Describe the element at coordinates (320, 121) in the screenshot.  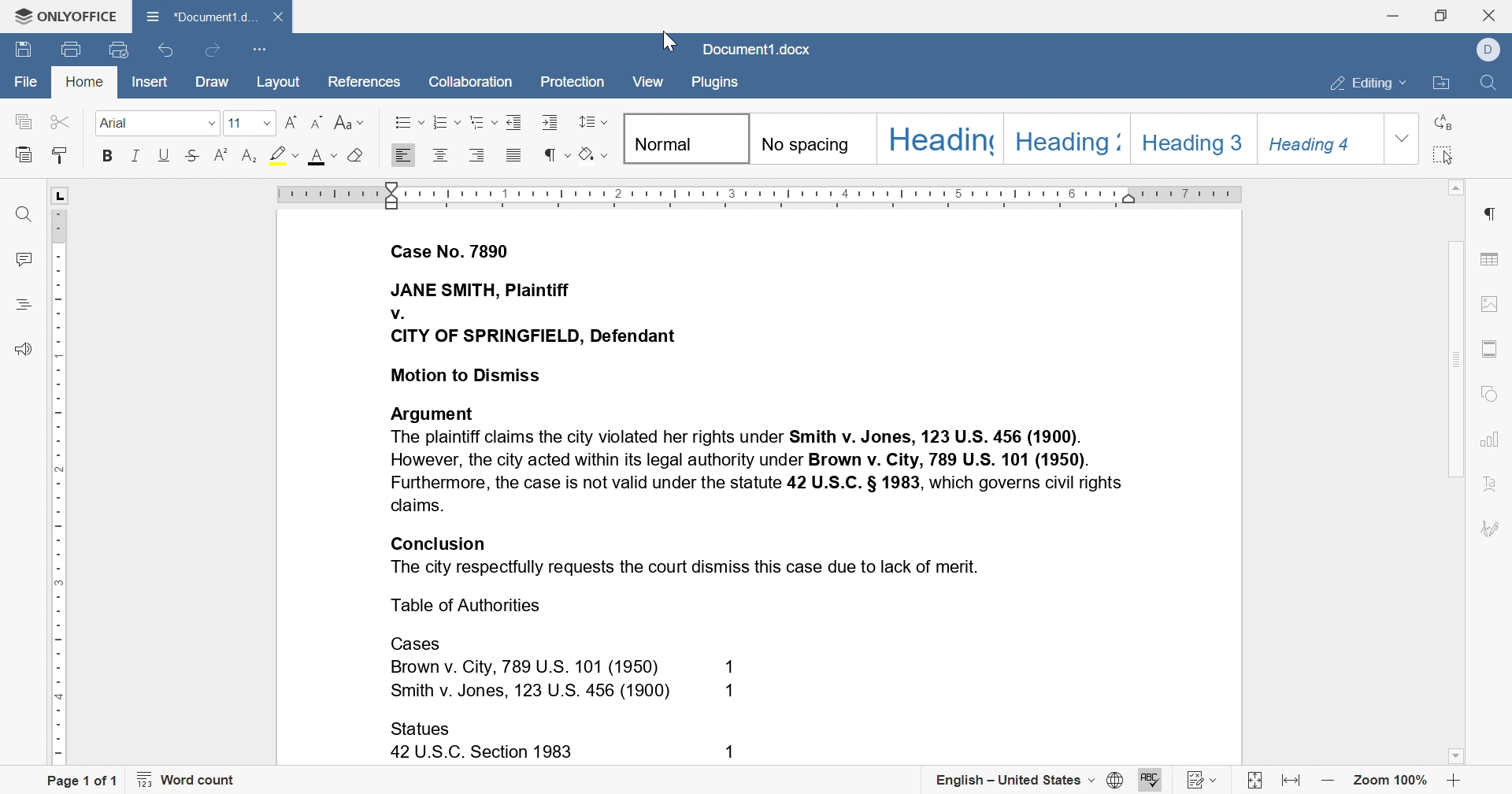
I see `decrement font size` at that location.